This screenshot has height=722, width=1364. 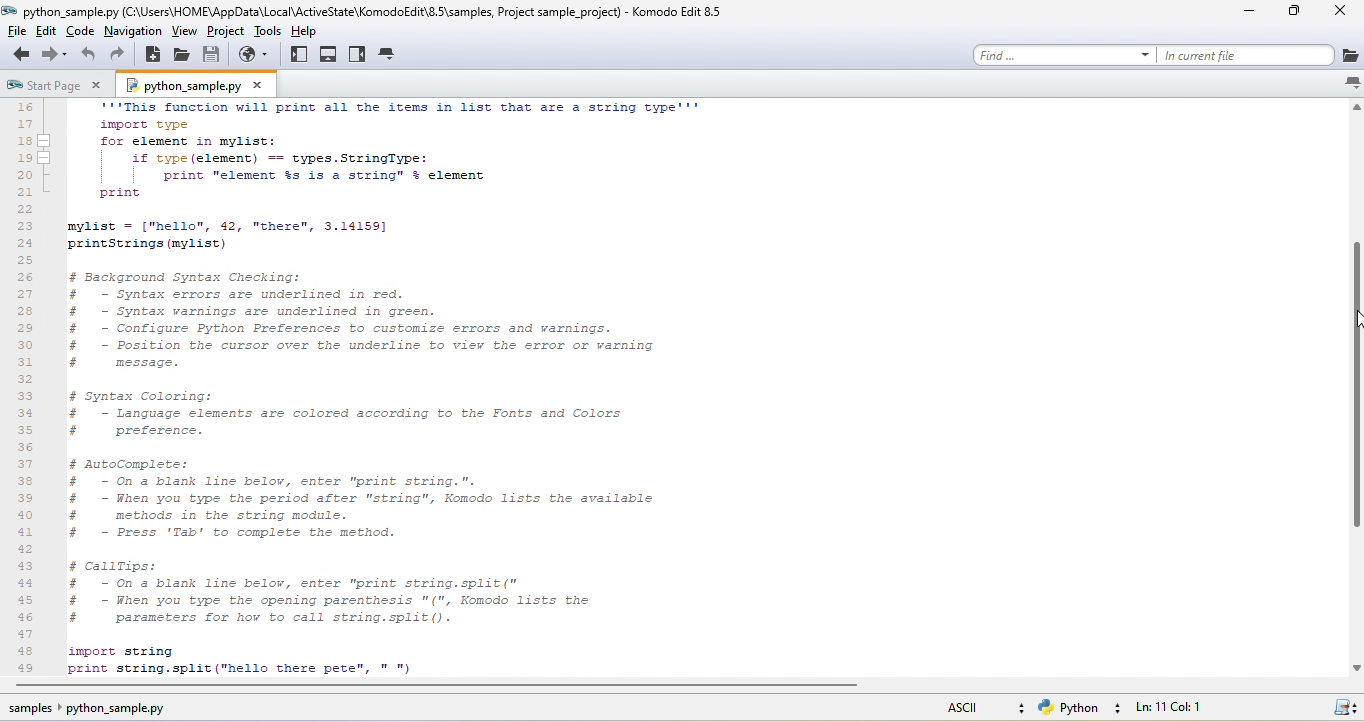 I want to click on ln 11, col 1, so click(x=1179, y=707).